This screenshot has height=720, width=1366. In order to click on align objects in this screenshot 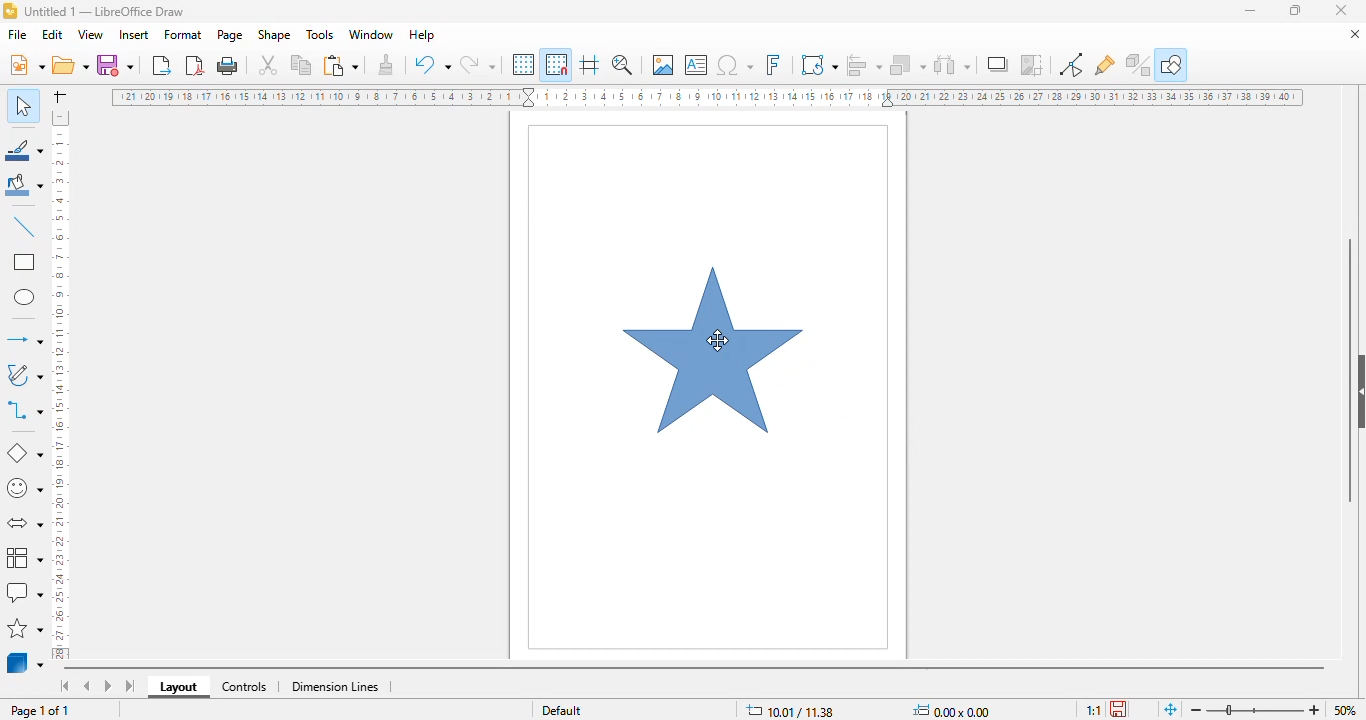, I will do `click(865, 64)`.